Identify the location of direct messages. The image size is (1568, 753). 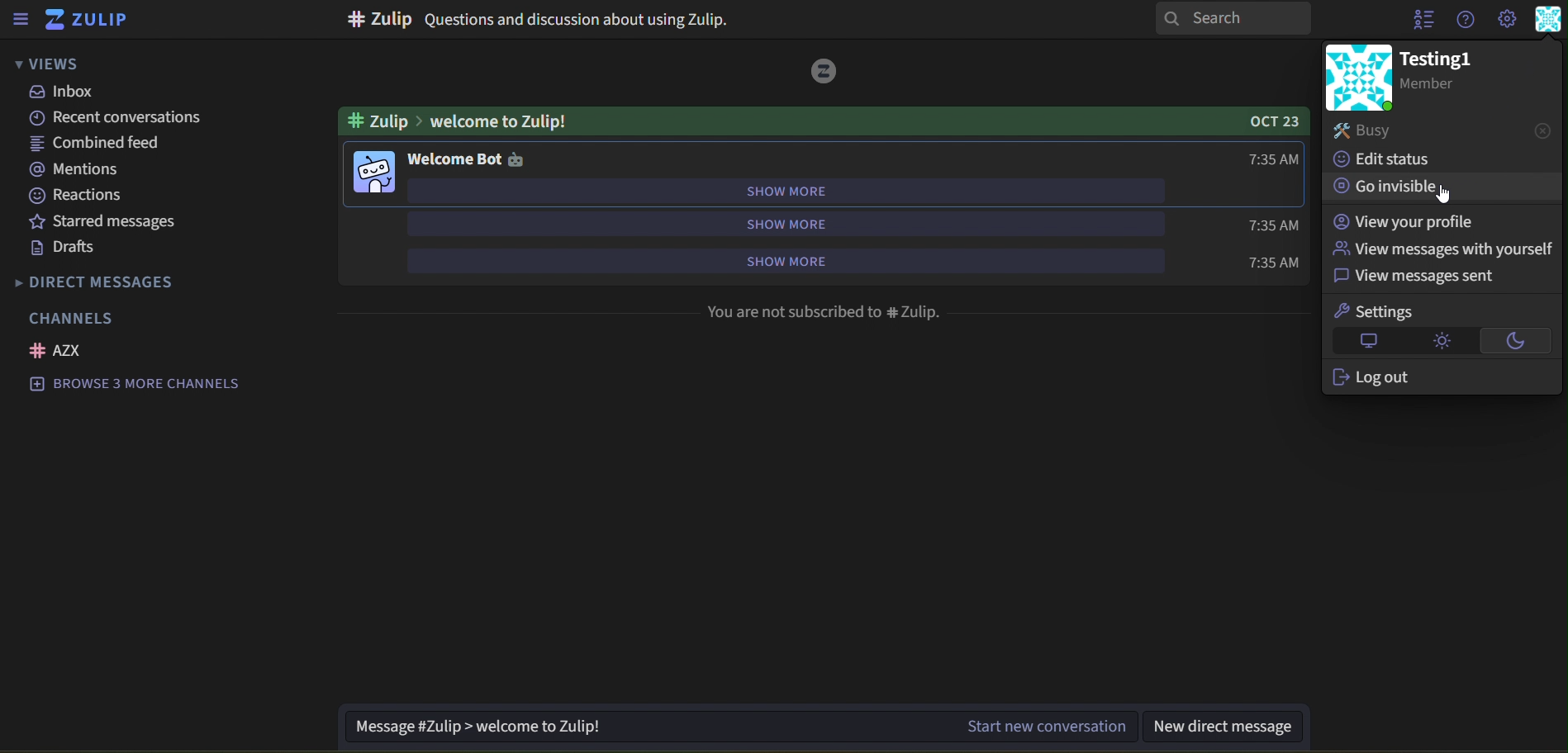
(103, 282).